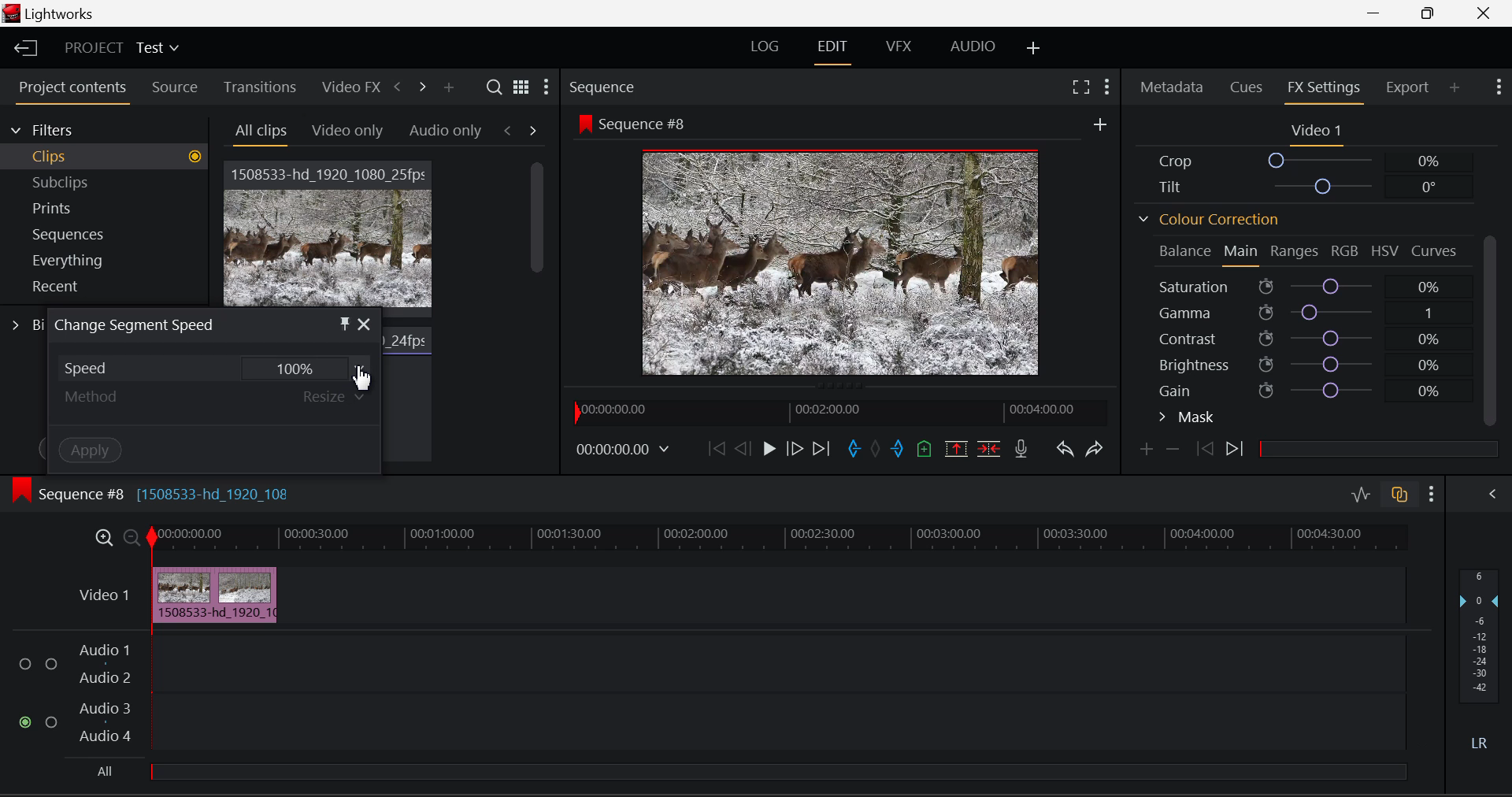 This screenshot has width=1512, height=797. Describe the element at coordinates (1482, 635) in the screenshot. I see `Decibel Level` at that location.